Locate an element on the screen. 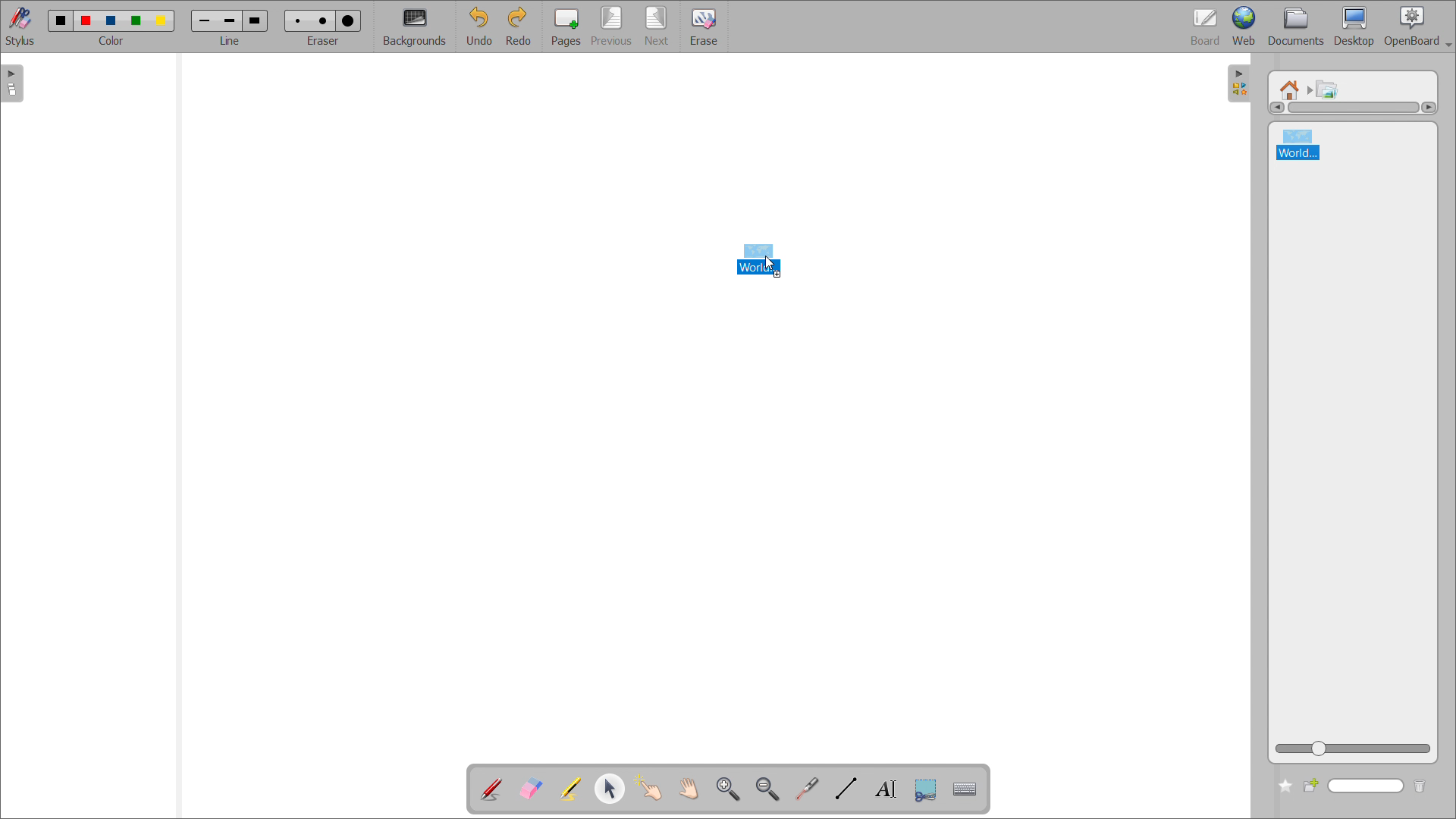 Image resolution: width=1456 pixels, height=819 pixels. add to favorites is located at coordinates (1285, 786).